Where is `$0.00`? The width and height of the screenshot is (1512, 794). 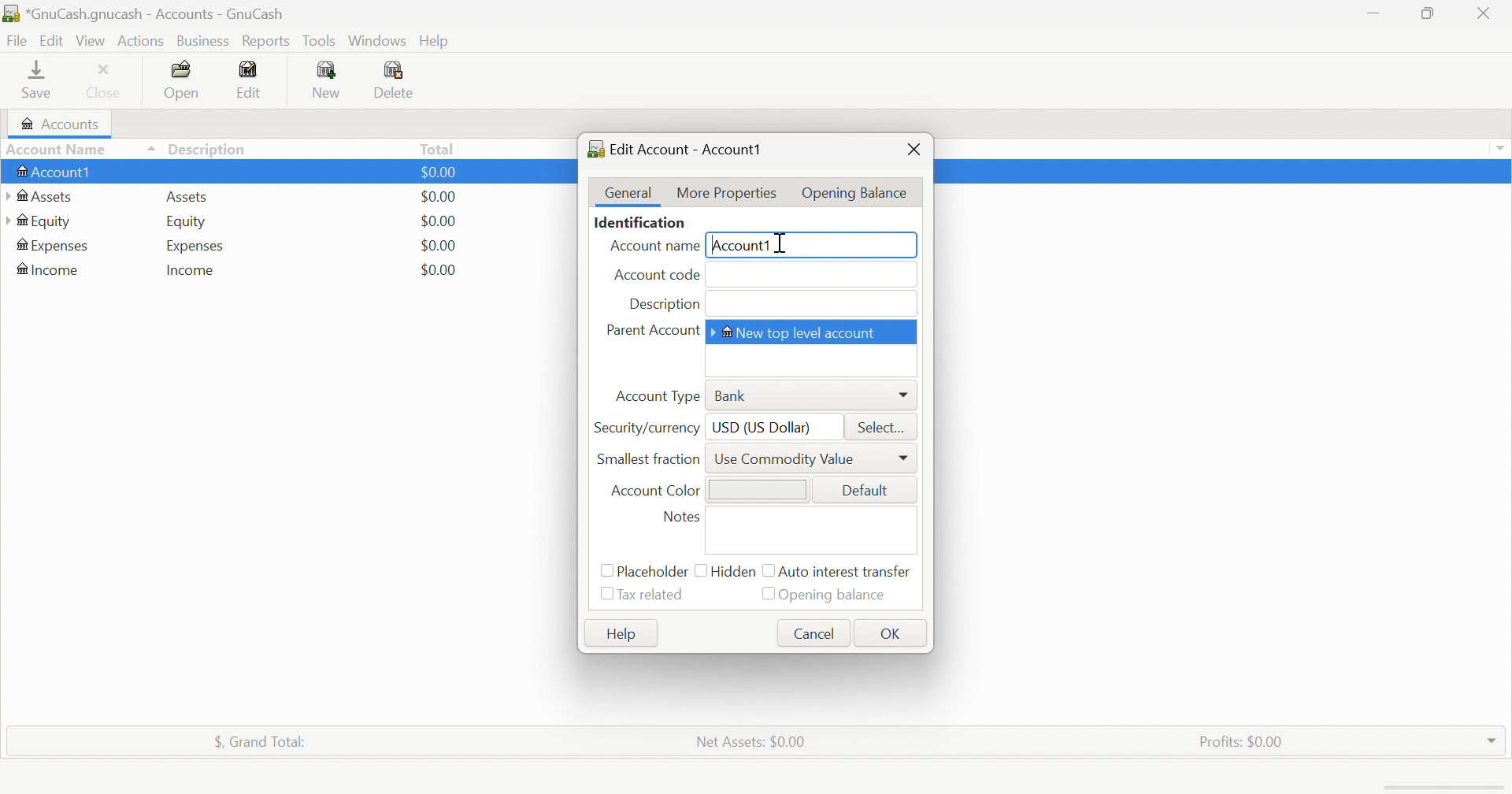
$0.00 is located at coordinates (439, 197).